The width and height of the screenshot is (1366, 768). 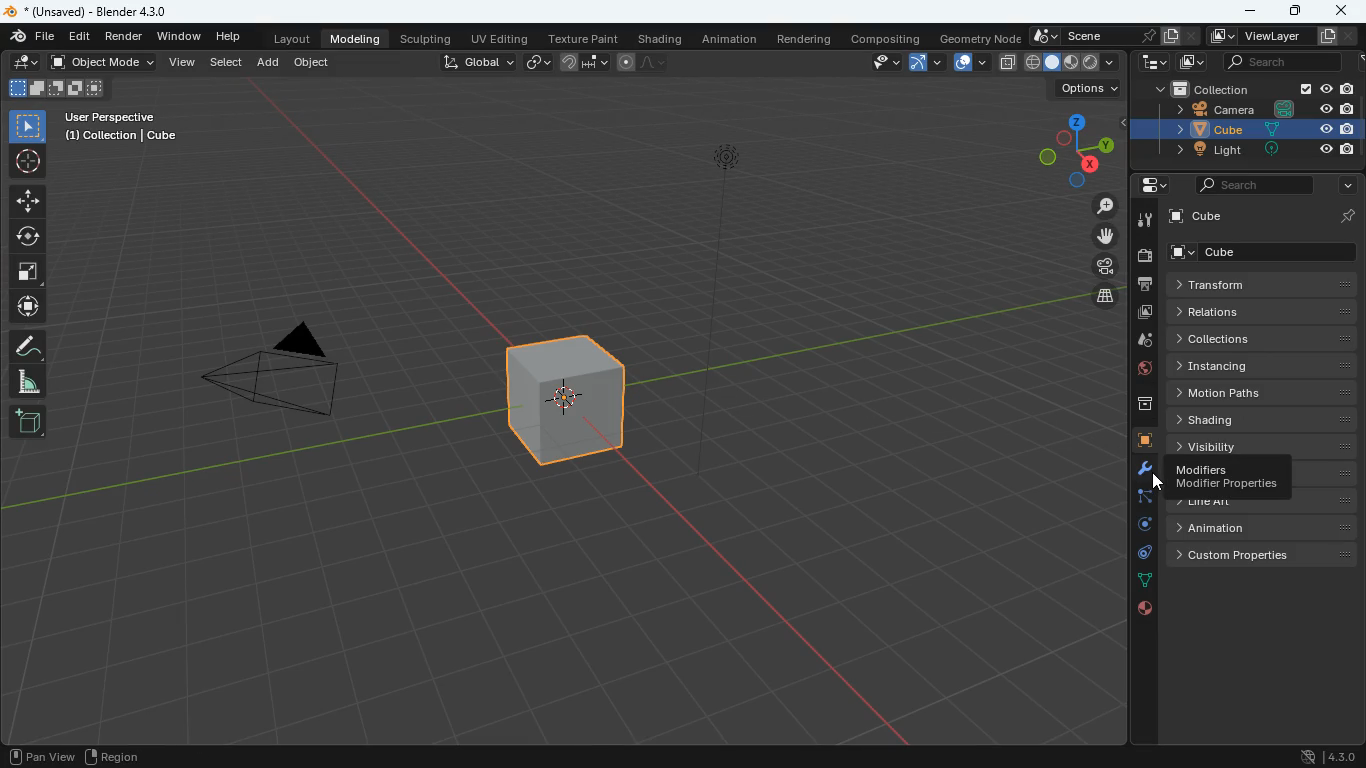 I want to click on instancing, so click(x=1264, y=366).